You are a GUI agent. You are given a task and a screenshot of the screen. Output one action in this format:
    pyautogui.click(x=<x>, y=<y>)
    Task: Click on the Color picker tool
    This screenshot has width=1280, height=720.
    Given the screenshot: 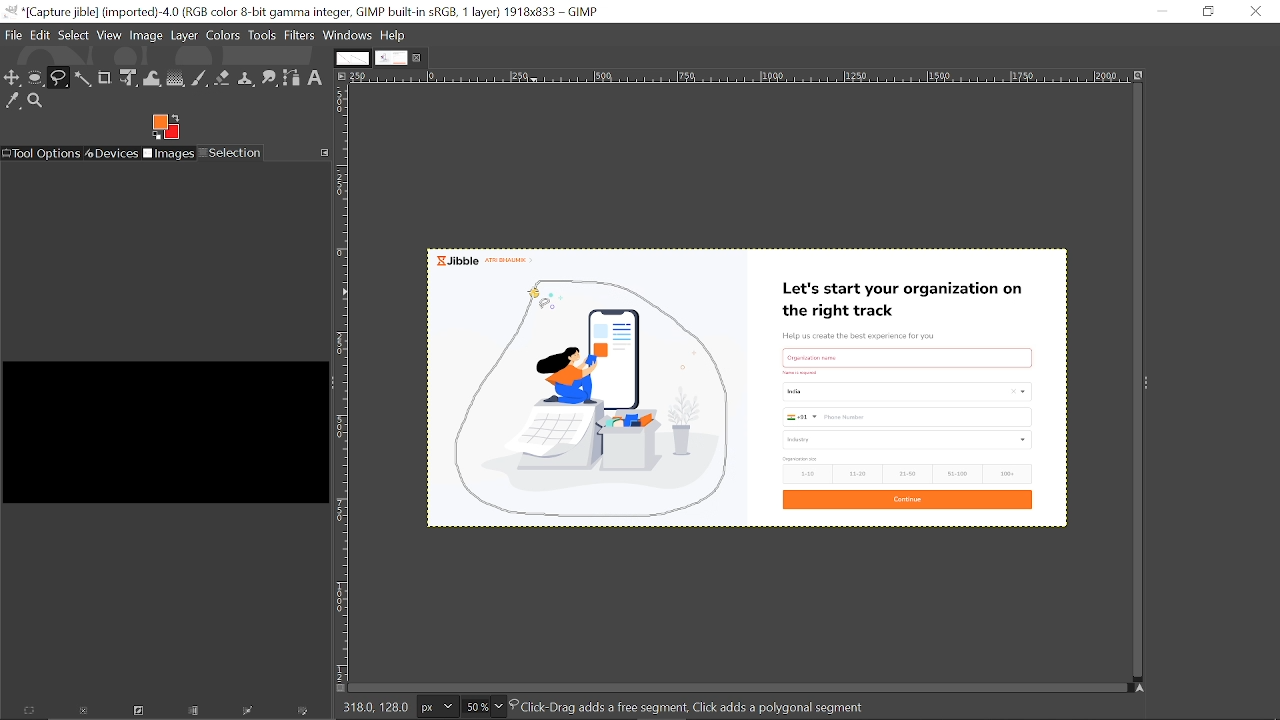 What is the action you would take?
    pyautogui.click(x=12, y=100)
    